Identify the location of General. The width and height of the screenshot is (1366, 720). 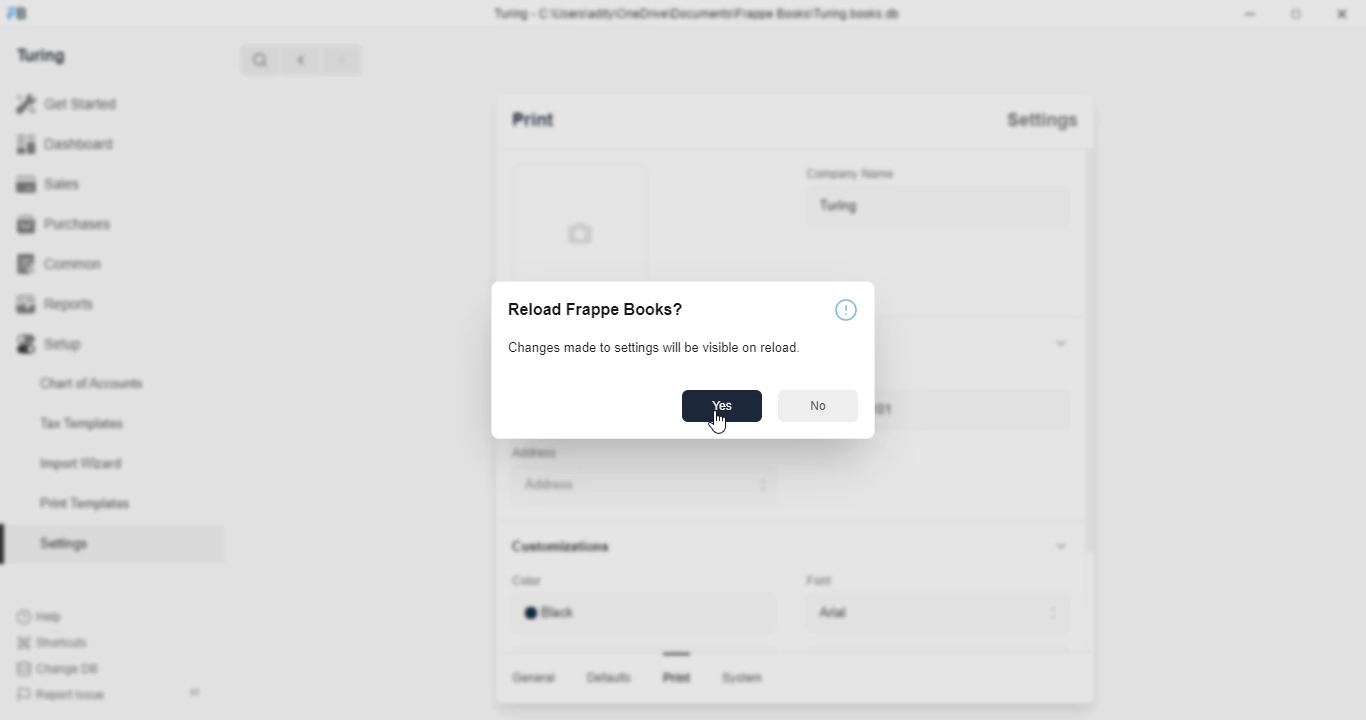
(530, 676).